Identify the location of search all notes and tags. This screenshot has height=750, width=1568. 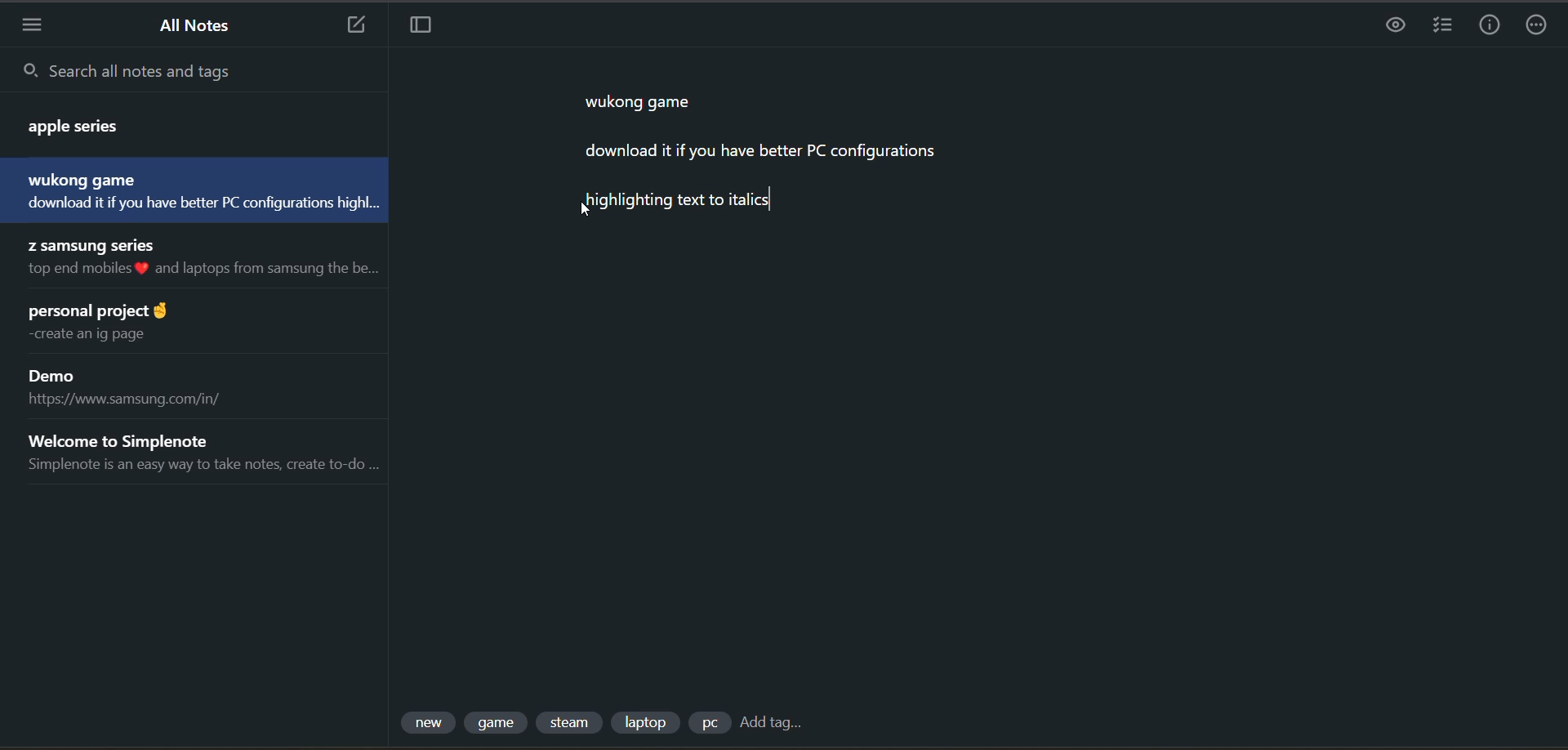
(198, 69).